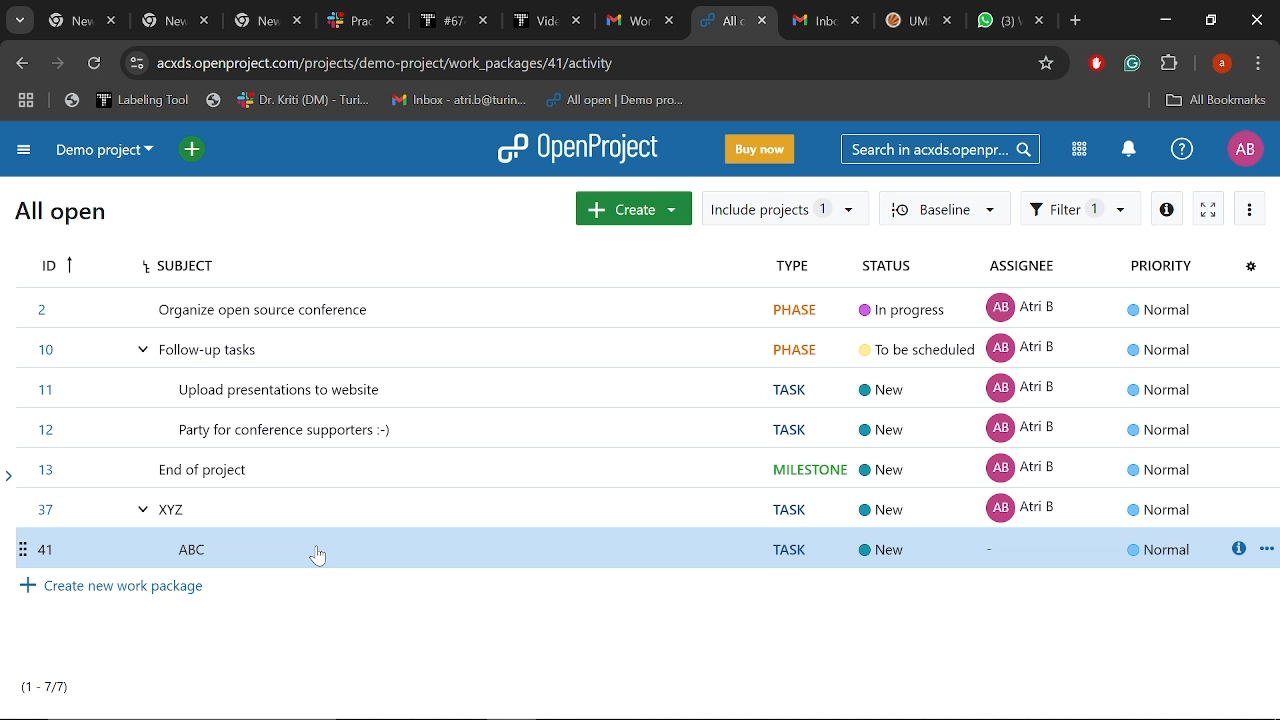 The height and width of the screenshot is (720, 1280). What do you see at coordinates (647, 427) in the screenshot?
I see `task ID 12` at bounding box center [647, 427].